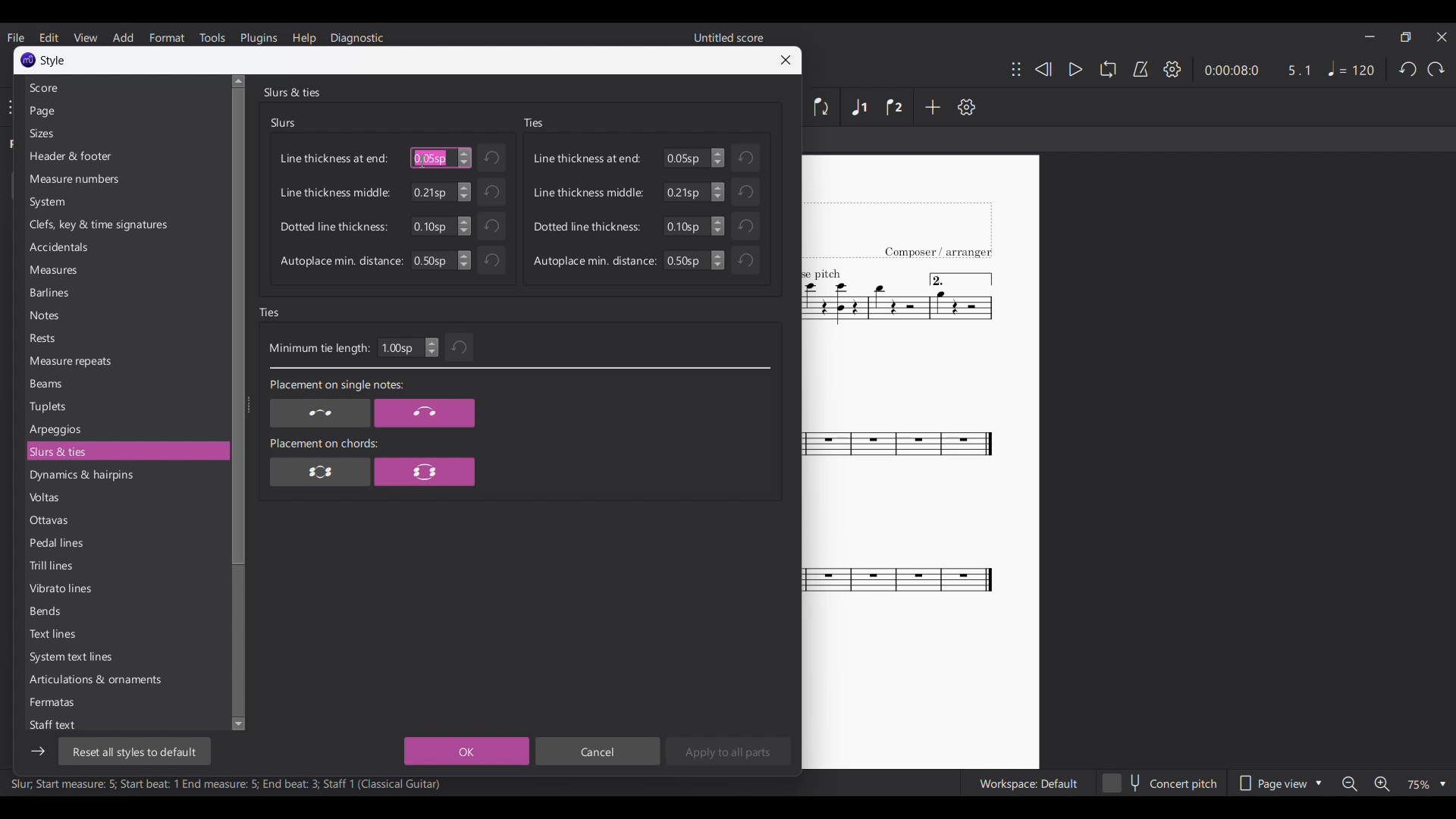 This screenshot has width=1456, height=819. What do you see at coordinates (464, 260) in the screenshot?
I see `Increase/Decrease autoplace min. distance` at bounding box center [464, 260].